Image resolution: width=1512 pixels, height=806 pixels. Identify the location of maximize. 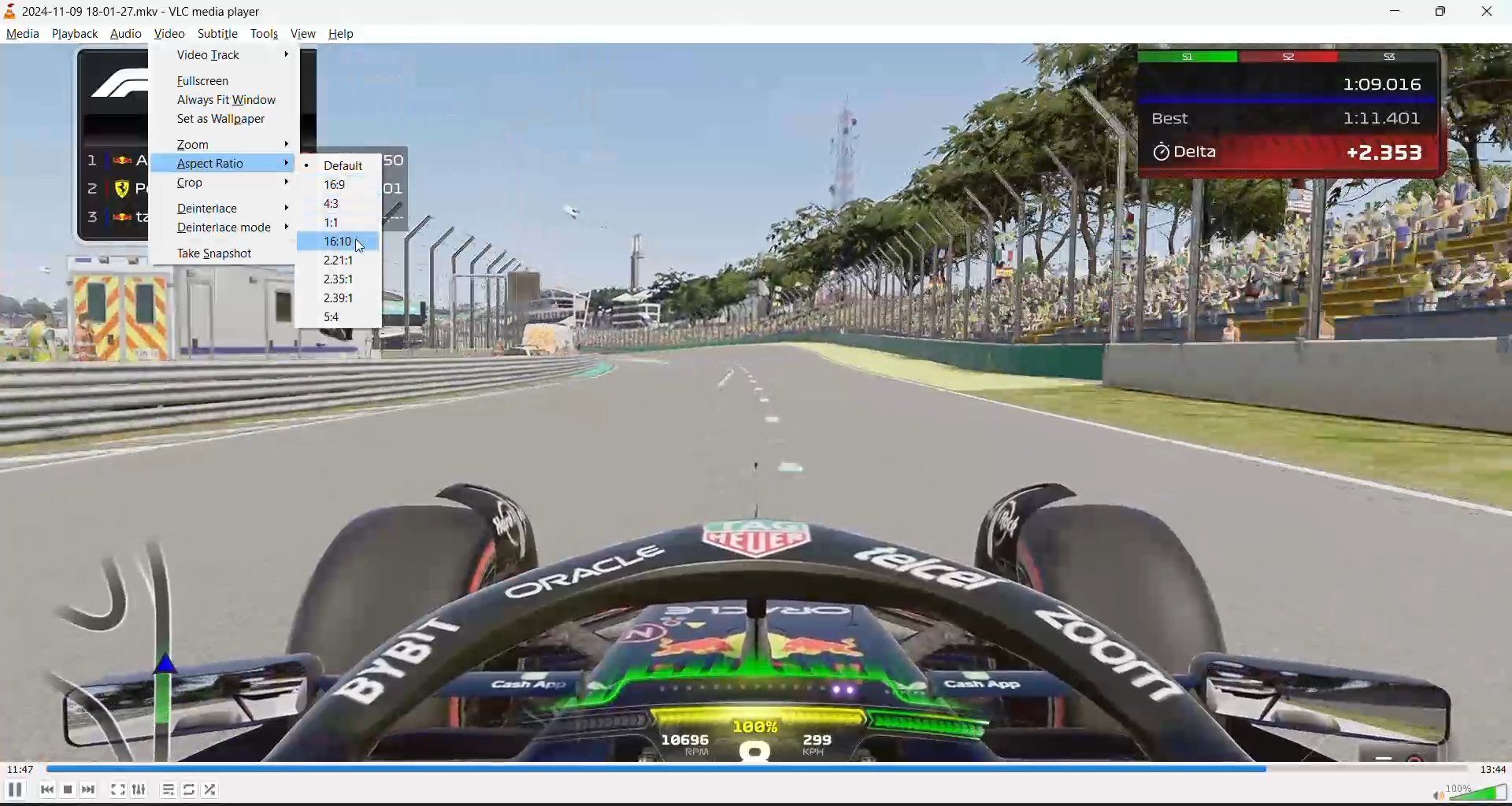
(1447, 12).